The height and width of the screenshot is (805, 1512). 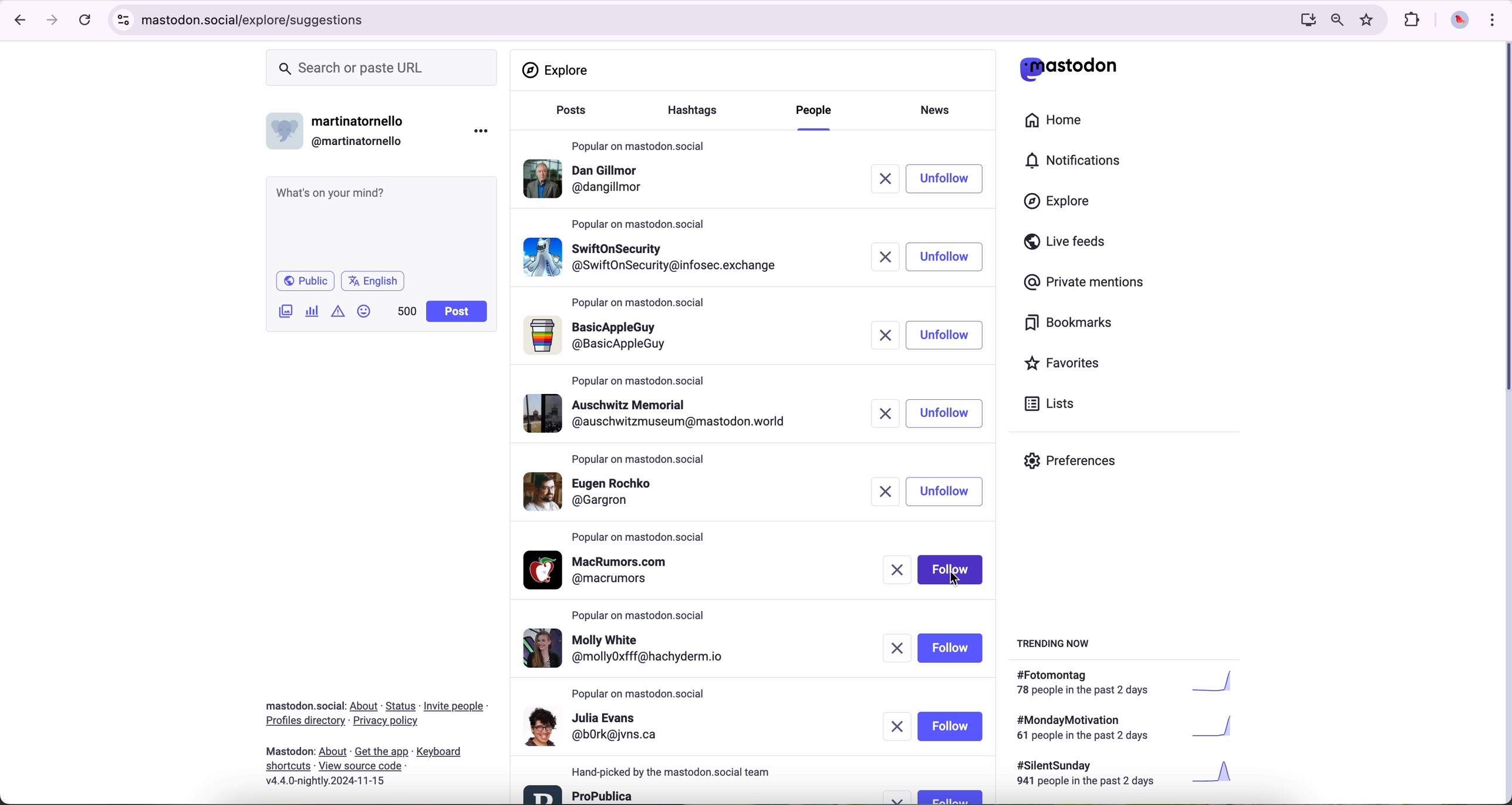 What do you see at coordinates (887, 256) in the screenshot?
I see `remove` at bounding box center [887, 256].